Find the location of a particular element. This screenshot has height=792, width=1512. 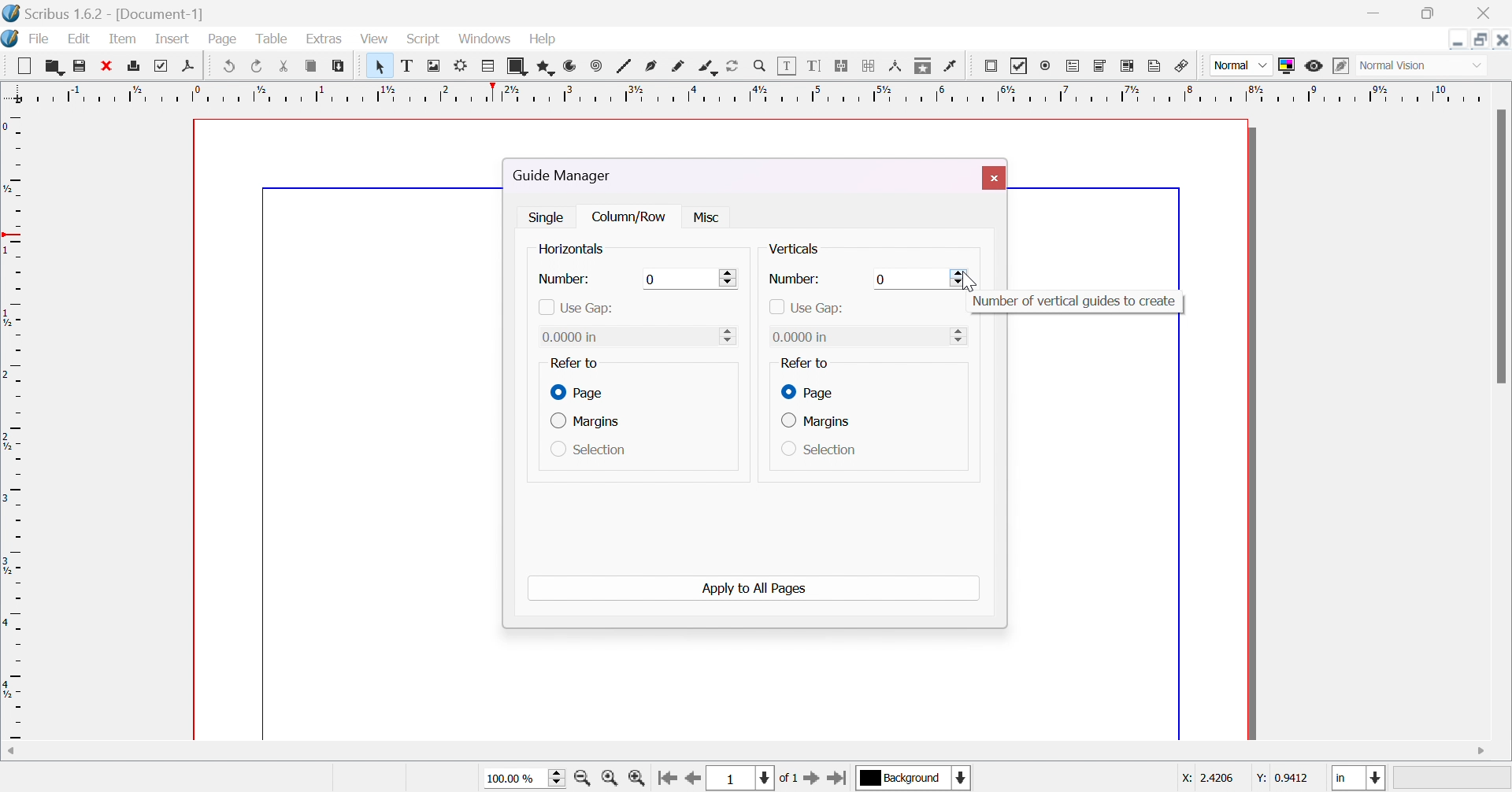

PDF list box is located at coordinates (1129, 65).